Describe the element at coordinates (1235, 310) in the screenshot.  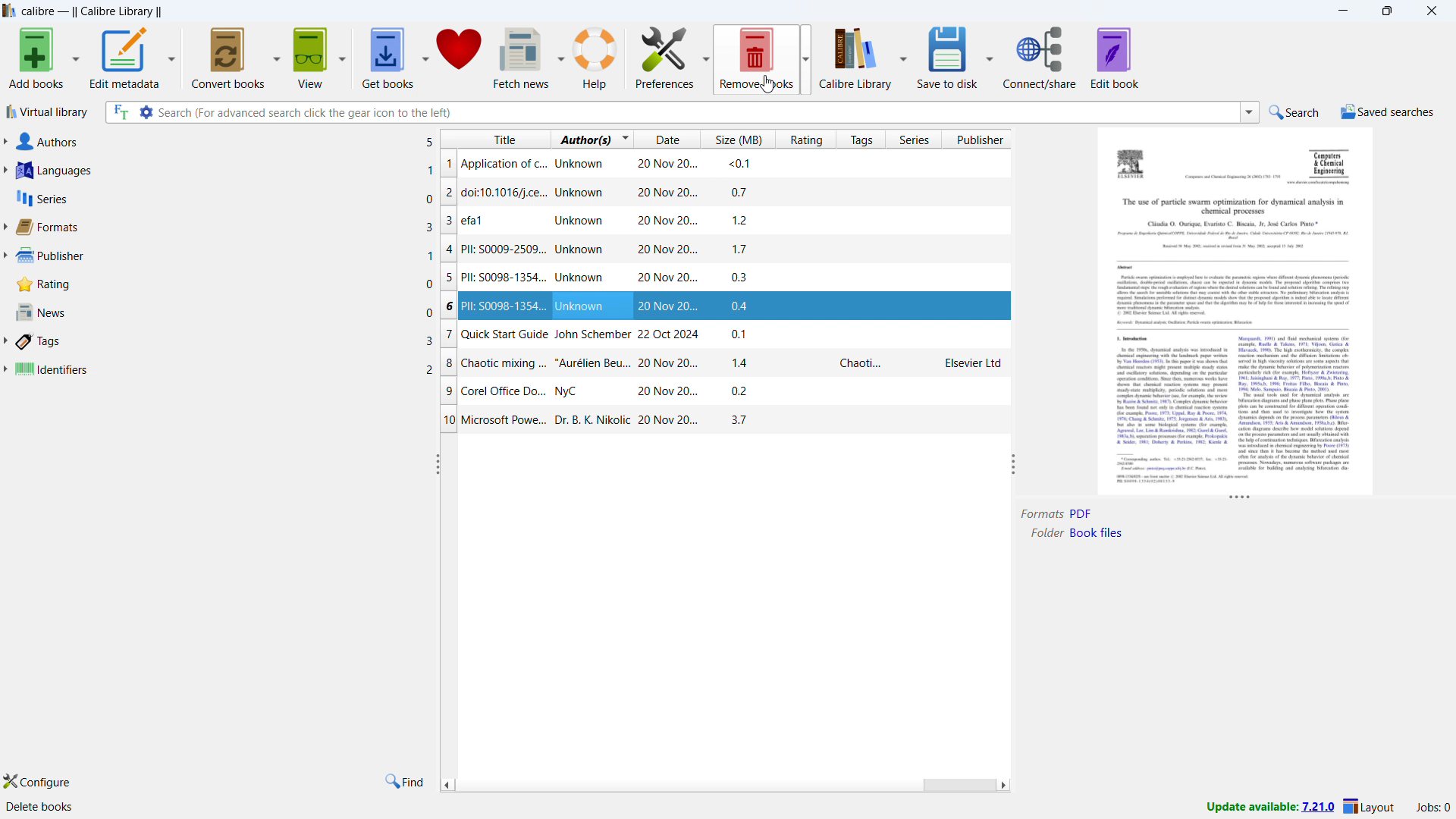
I see `double click to open book details window` at that location.